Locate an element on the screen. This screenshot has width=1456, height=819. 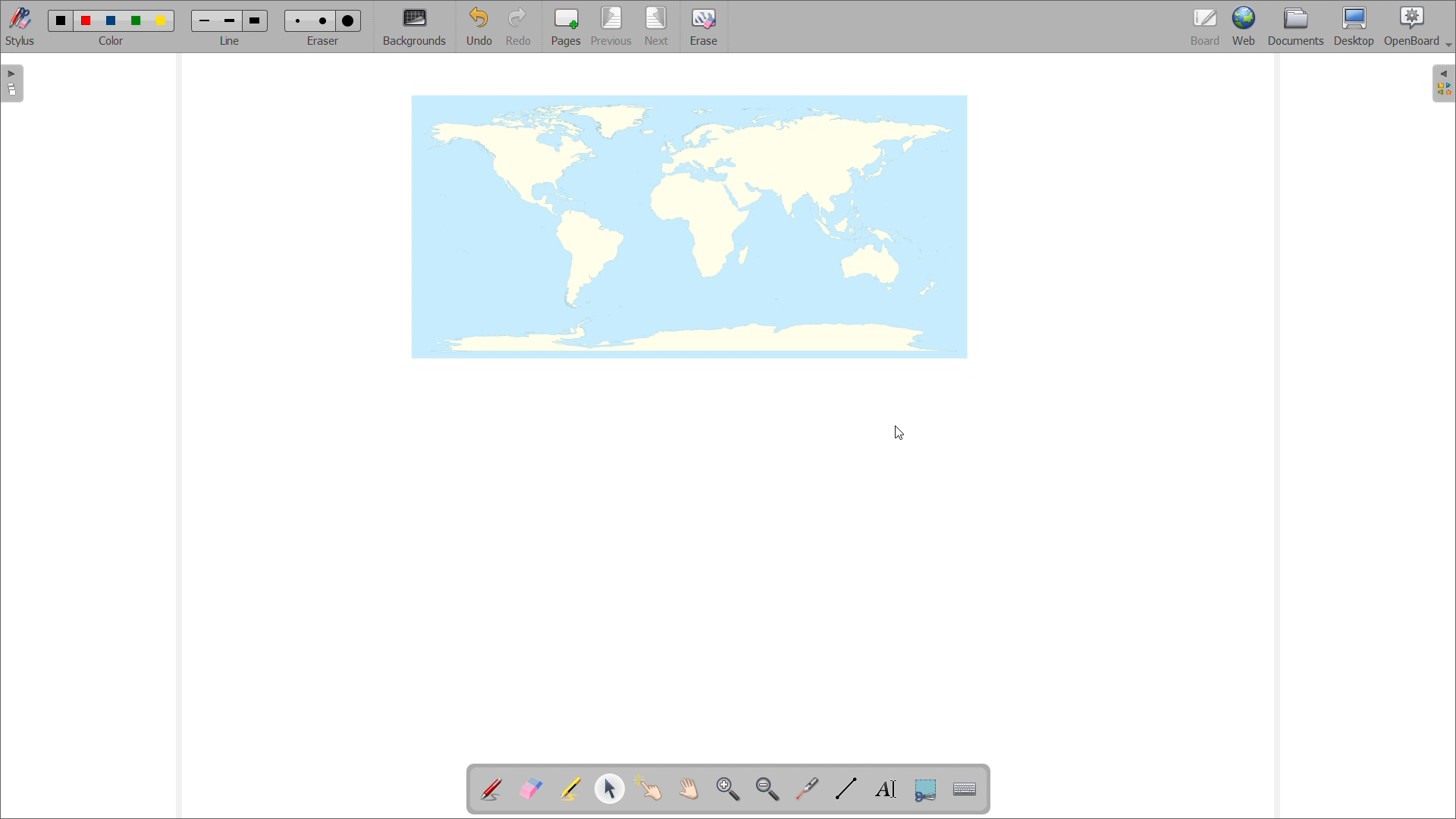
desktop is located at coordinates (1354, 27).